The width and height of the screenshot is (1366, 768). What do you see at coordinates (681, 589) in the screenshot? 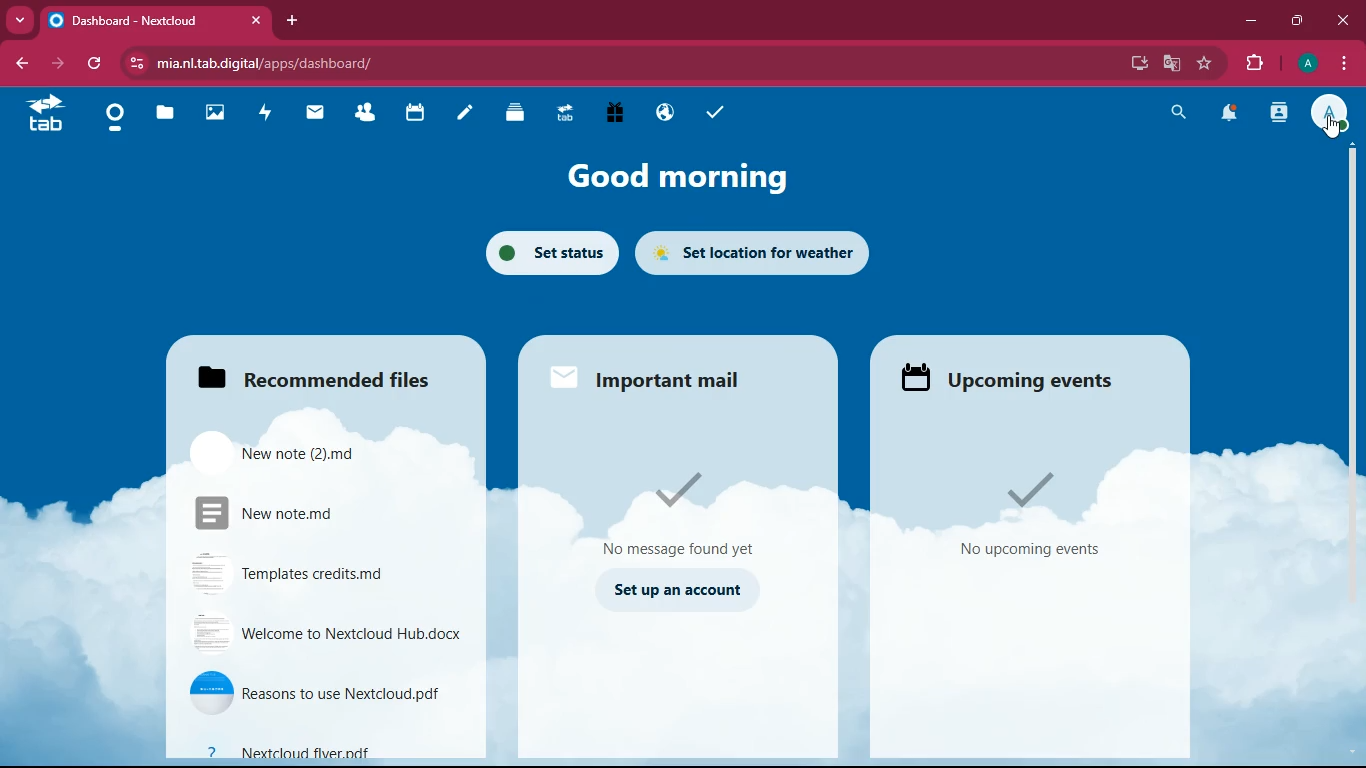
I see `set up an account` at bounding box center [681, 589].